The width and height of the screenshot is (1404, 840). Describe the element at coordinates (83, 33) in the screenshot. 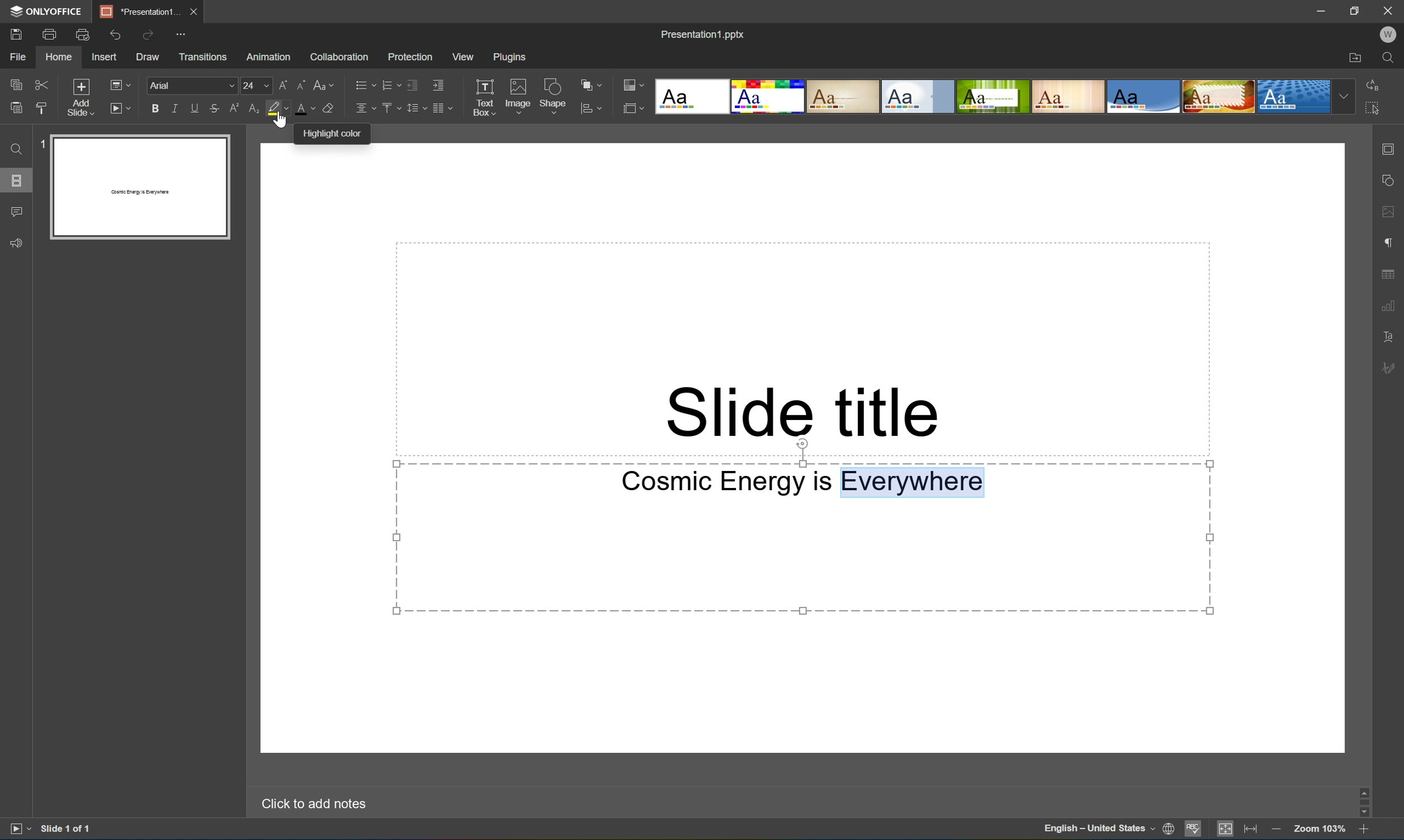

I see `Quick print` at that location.